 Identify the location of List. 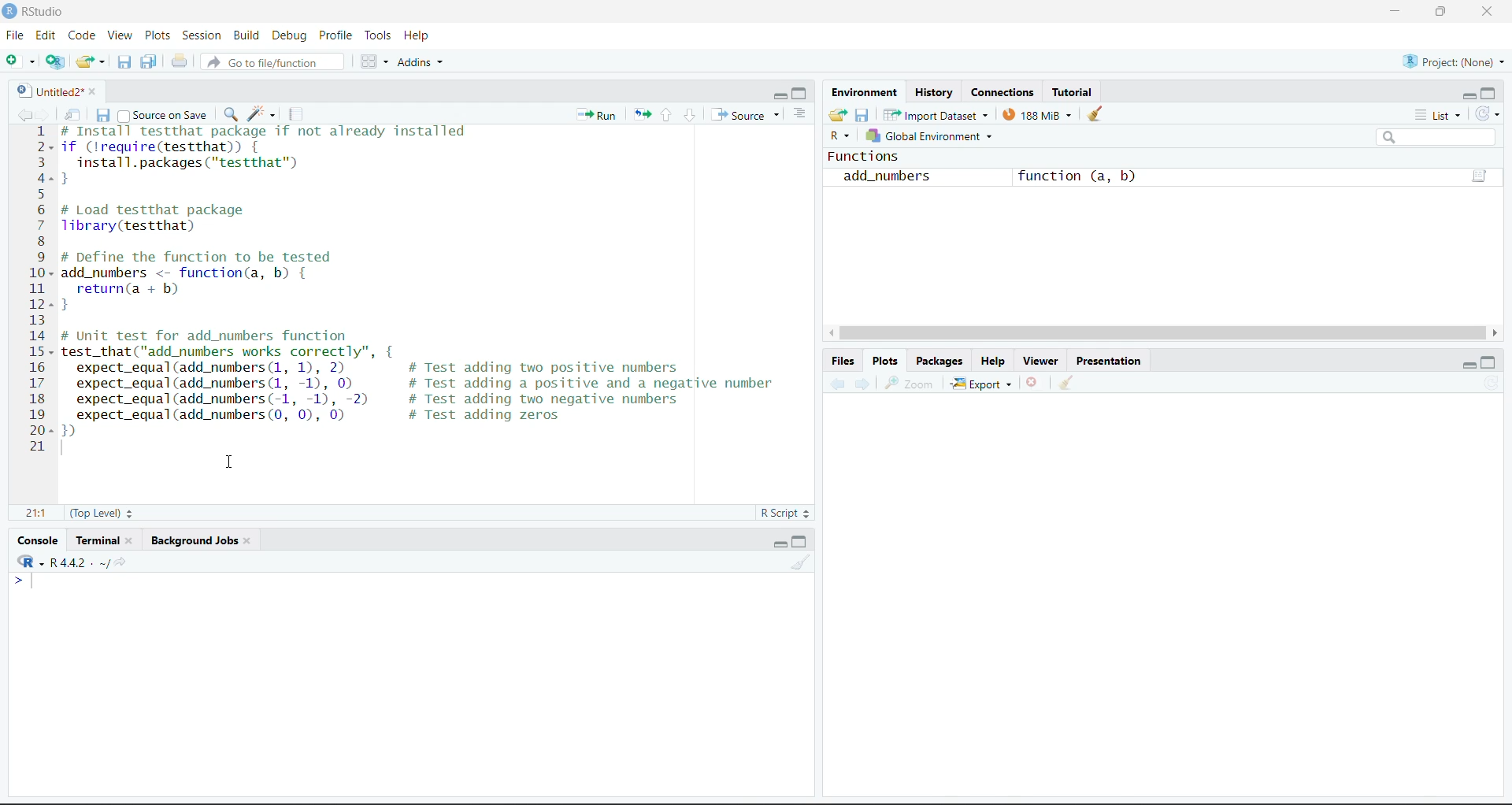
(1438, 115).